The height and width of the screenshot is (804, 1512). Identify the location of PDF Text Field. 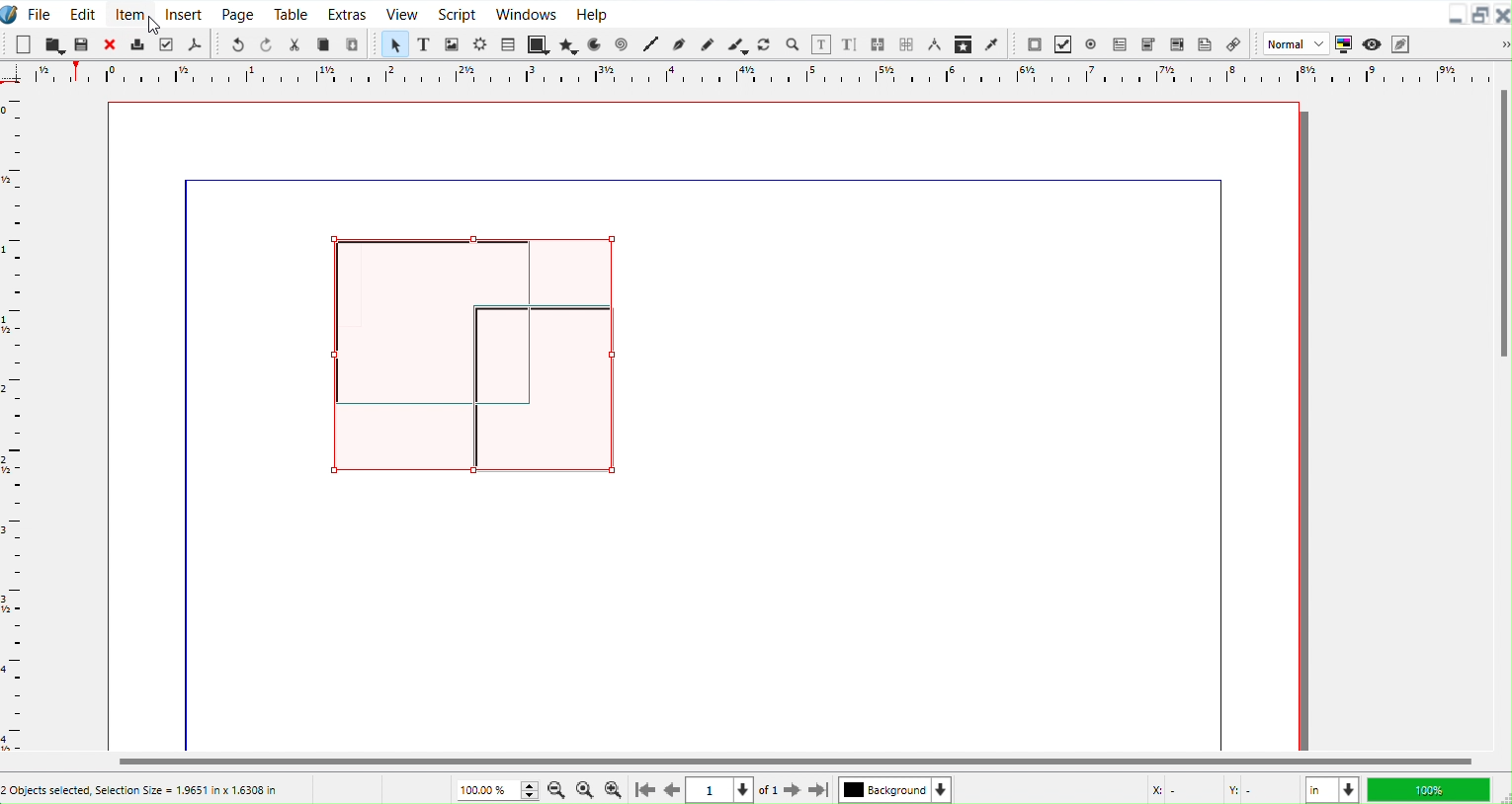
(1120, 43).